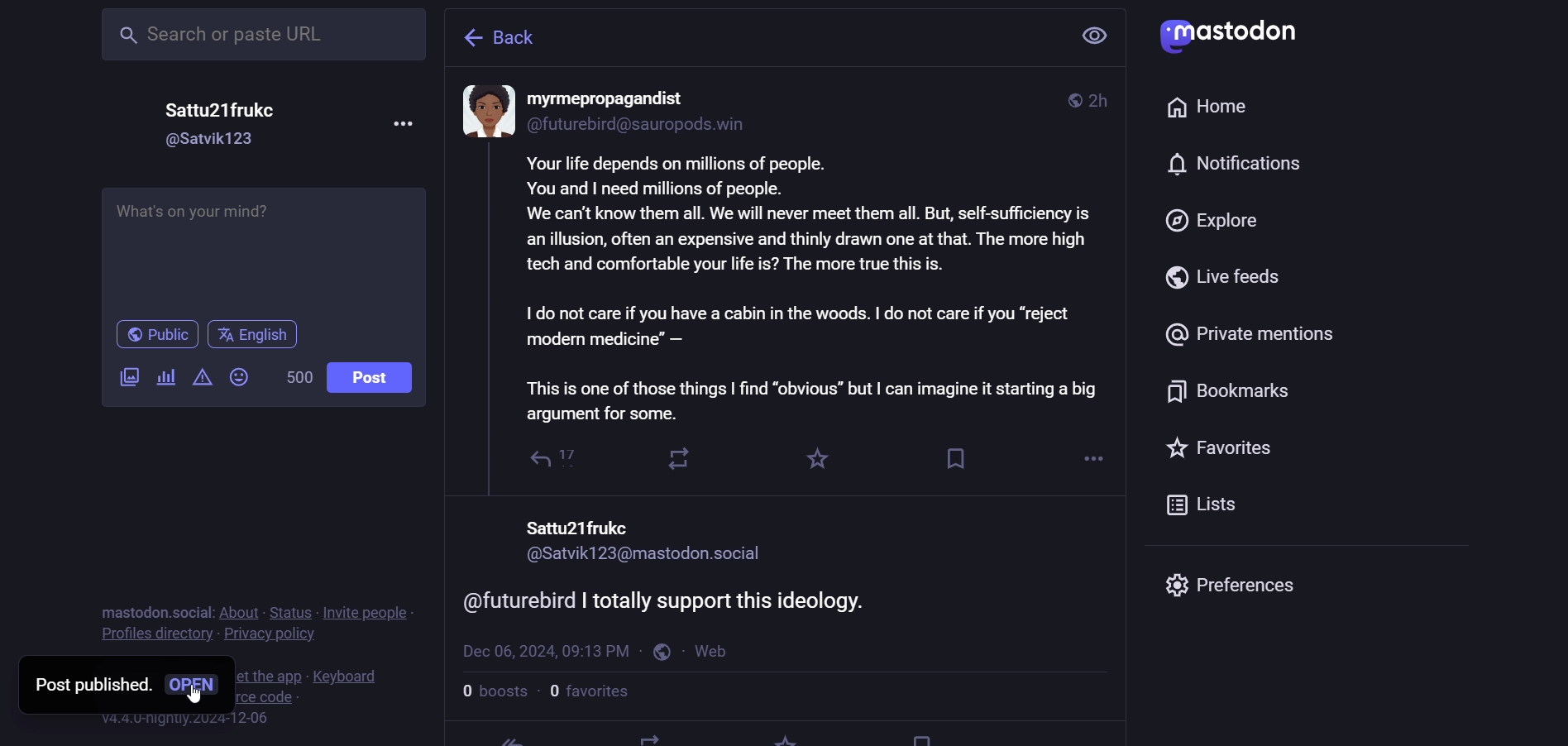  Describe the element at coordinates (197, 694) in the screenshot. I see `cursor` at that location.